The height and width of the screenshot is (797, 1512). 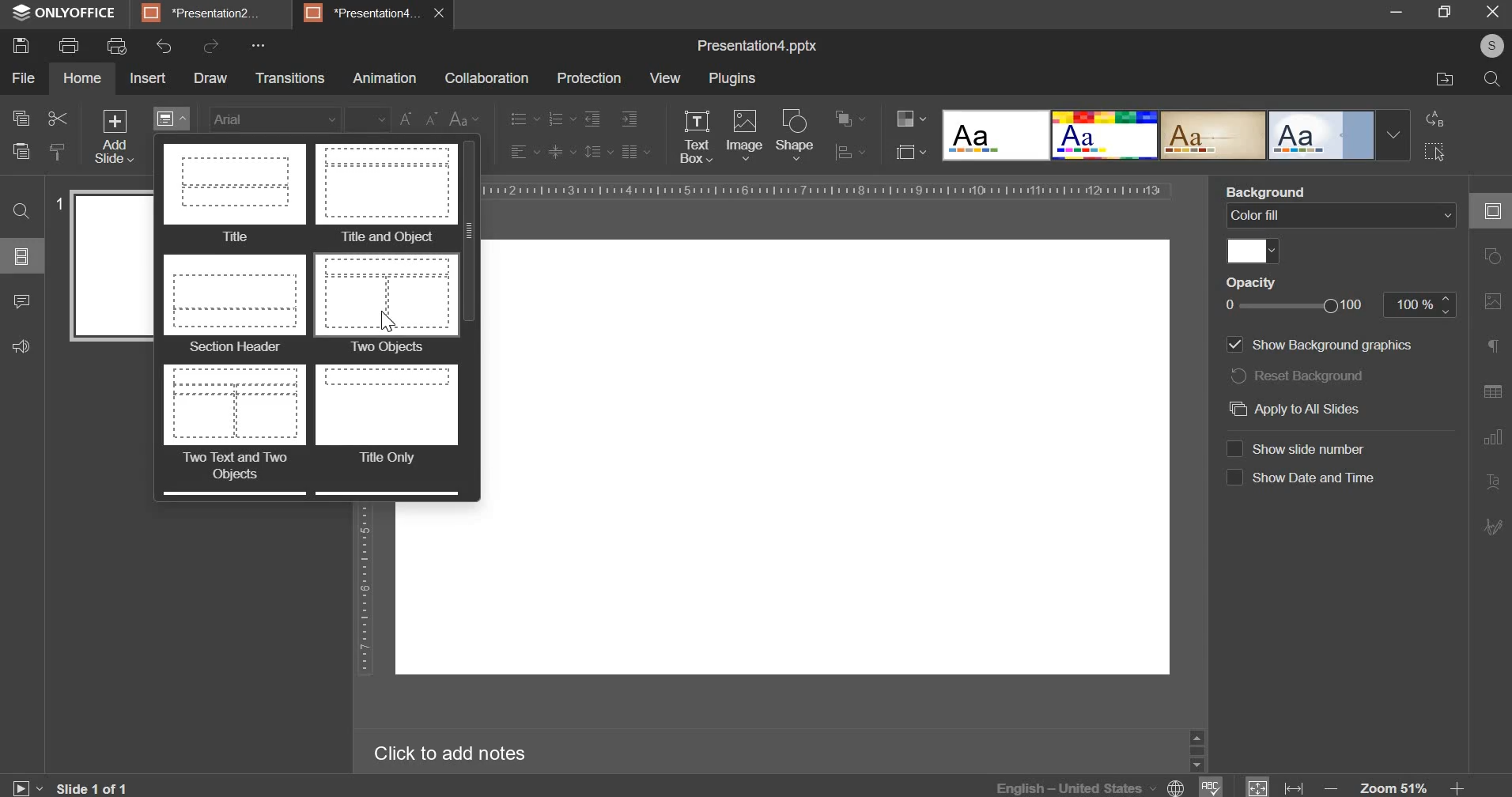 What do you see at coordinates (385, 79) in the screenshot?
I see `animation` at bounding box center [385, 79].